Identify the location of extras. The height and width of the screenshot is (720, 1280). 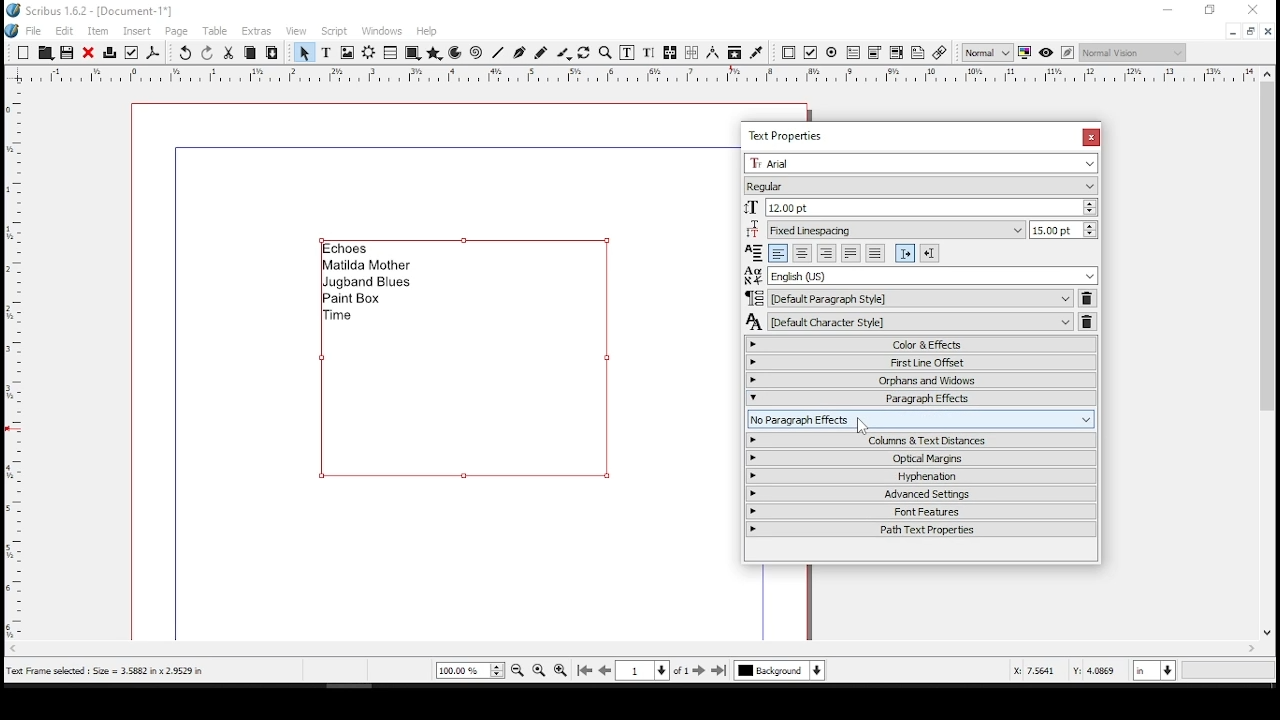
(258, 32).